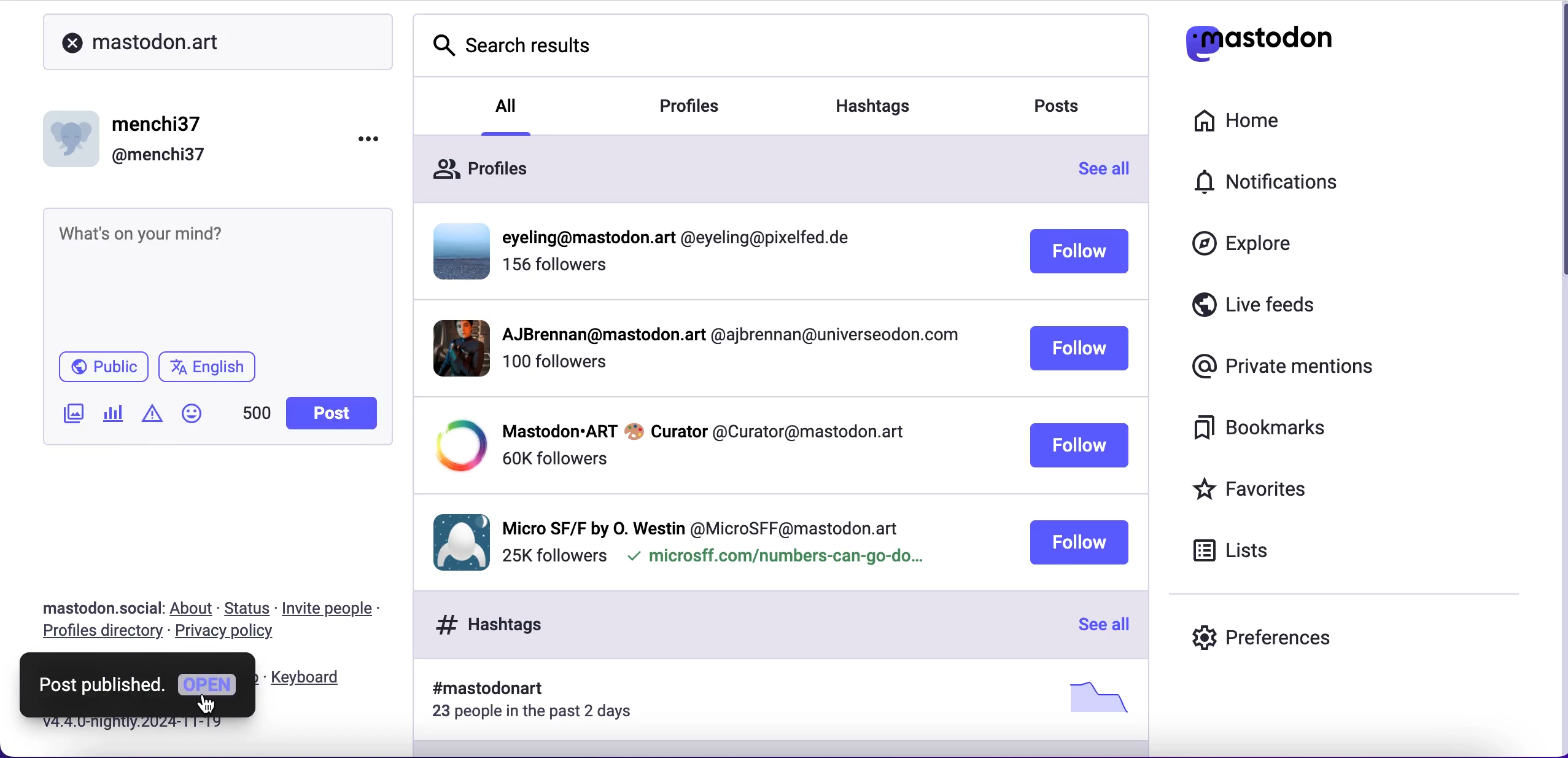 The height and width of the screenshot is (758, 1568). What do you see at coordinates (1557, 147) in the screenshot?
I see `scroll bar` at bounding box center [1557, 147].